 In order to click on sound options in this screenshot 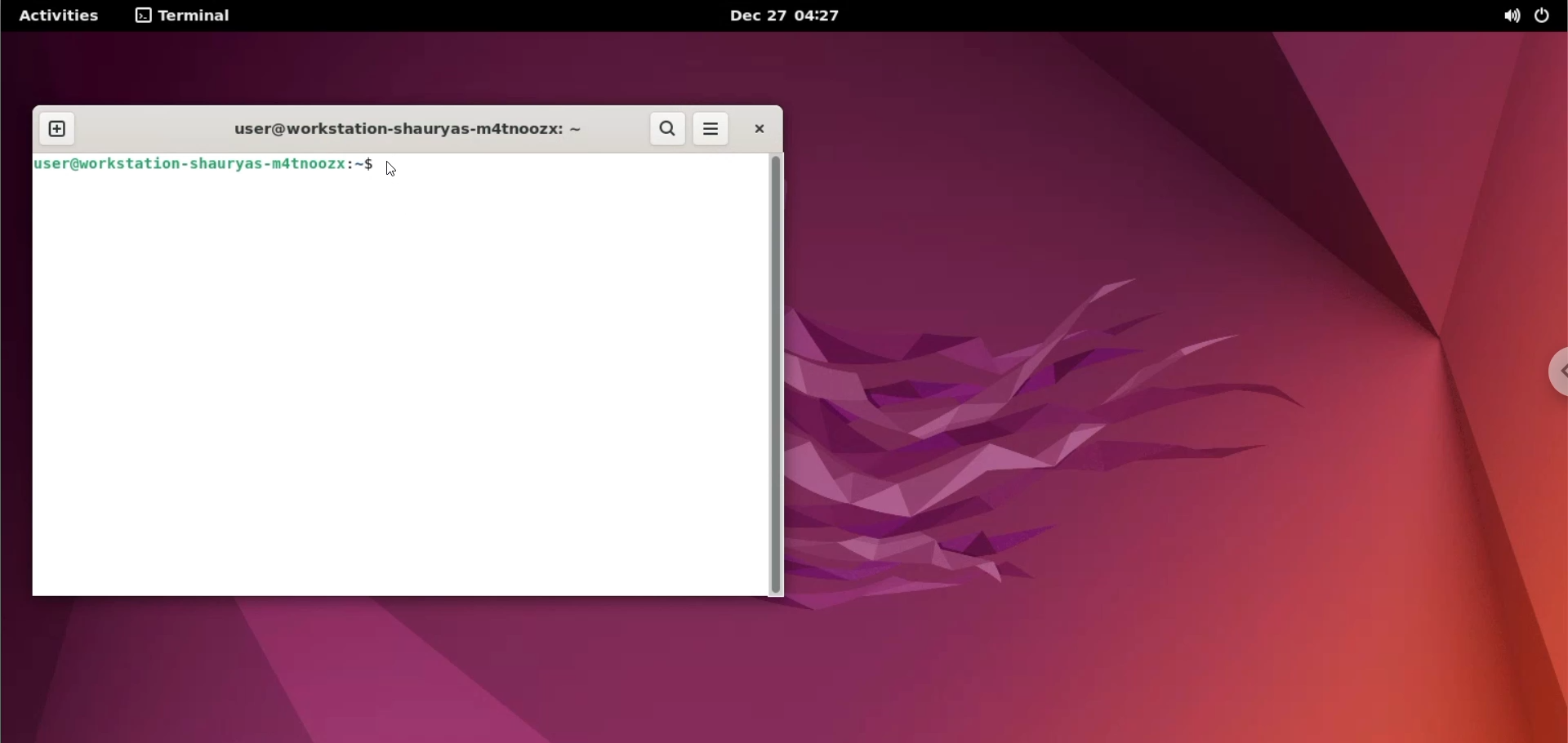, I will do `click(1510, 17)`.